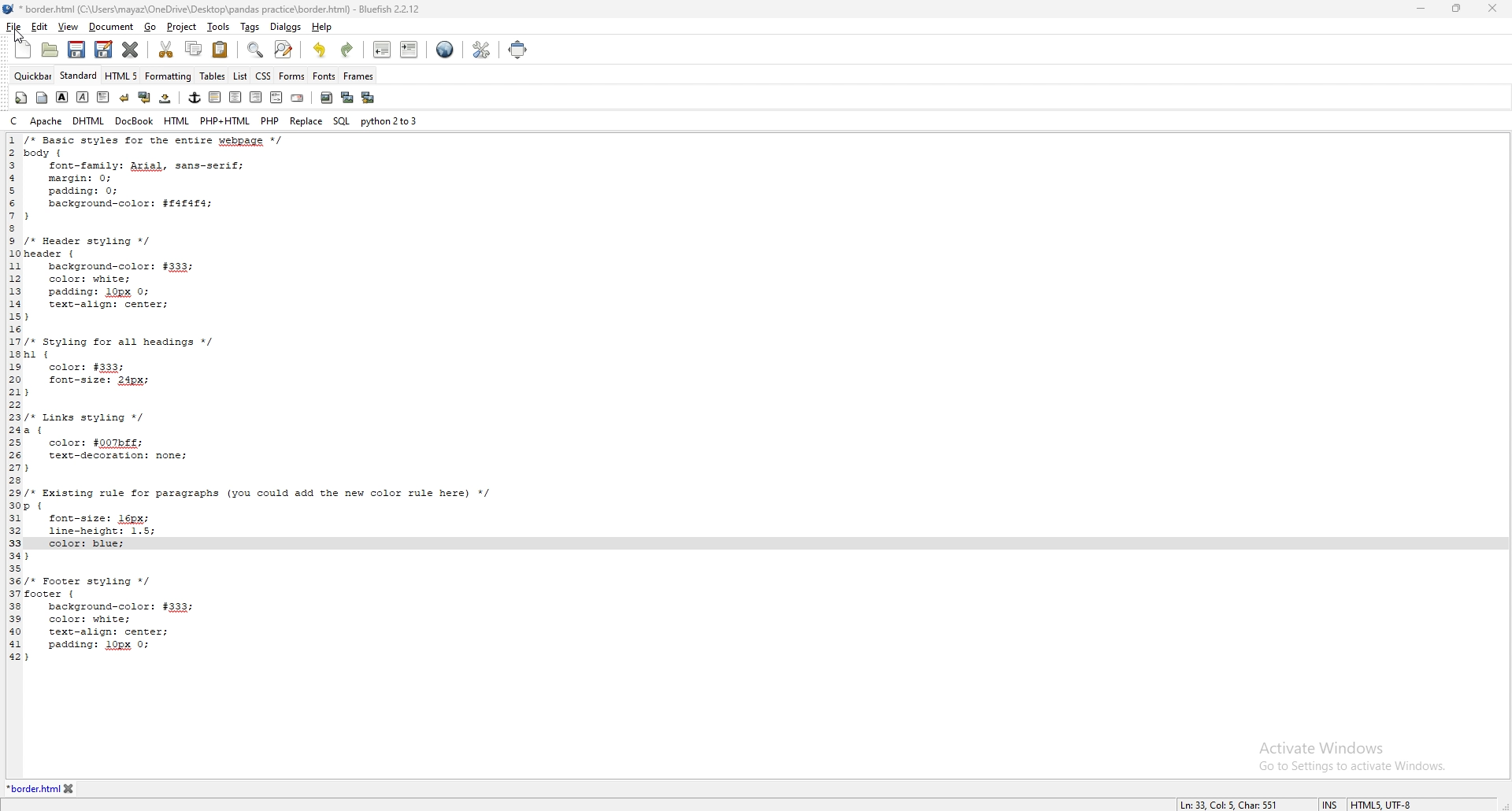  Describe the element at coordinates (370, 97) in the screenshot. I see `multi thumbnail` at that location.